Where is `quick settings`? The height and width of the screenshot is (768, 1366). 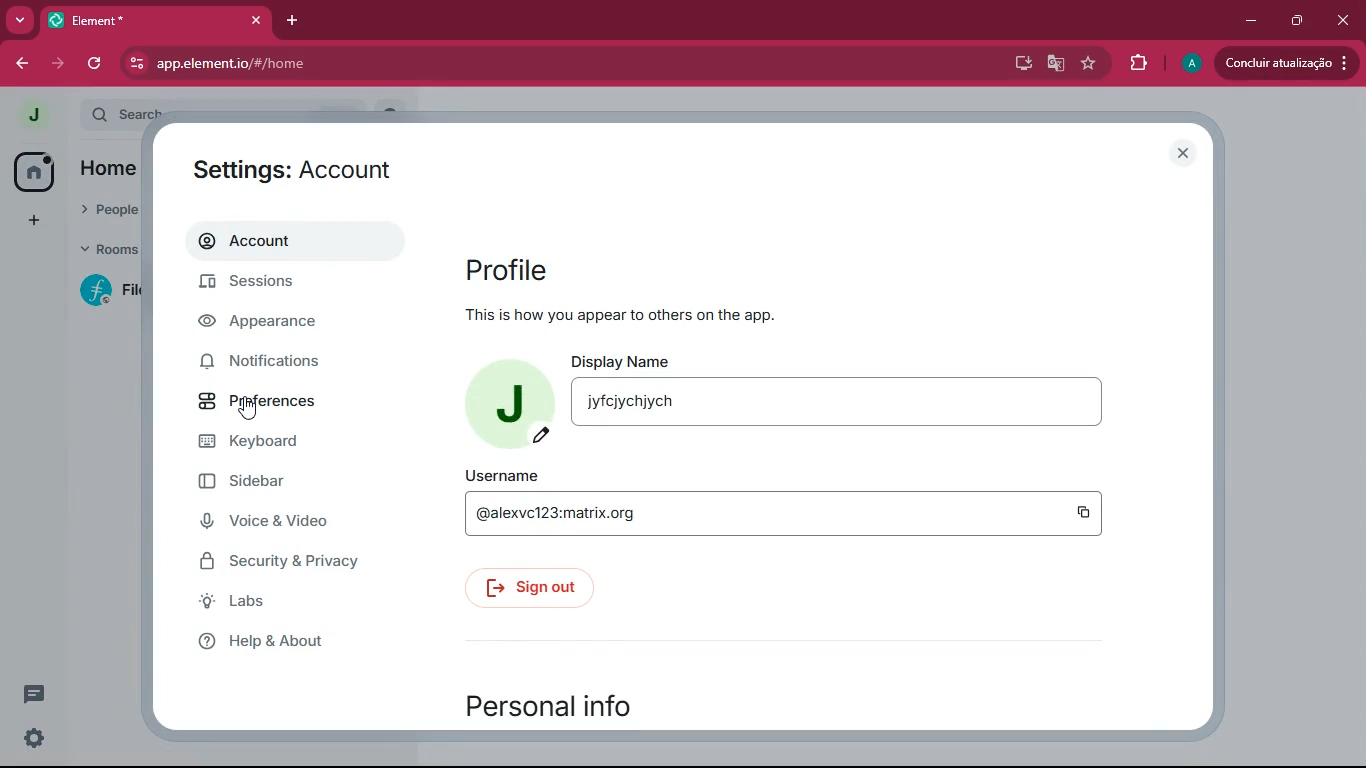 quick settings is located at coordinates (34, 737).